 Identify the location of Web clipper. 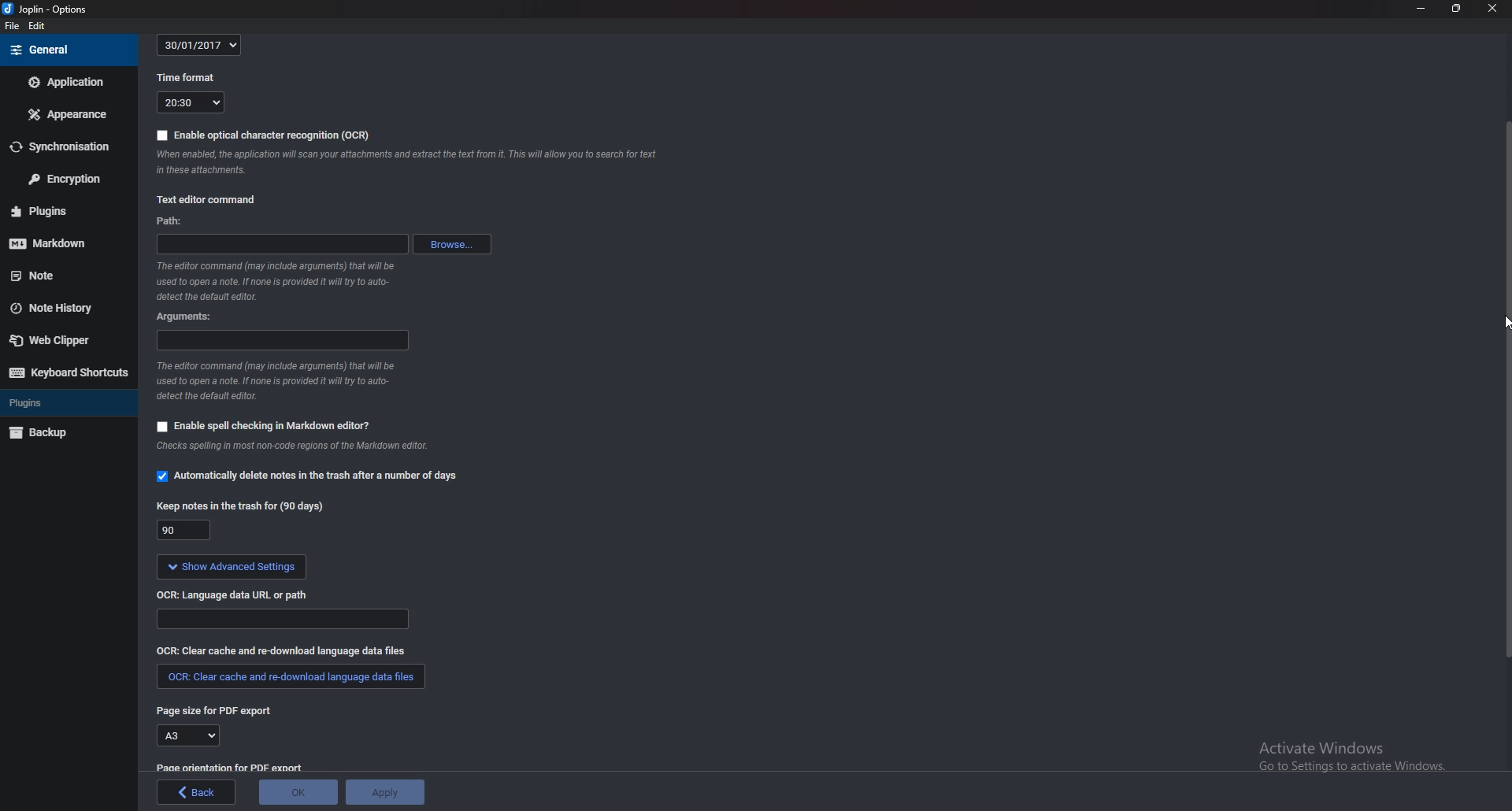
(61, 339).